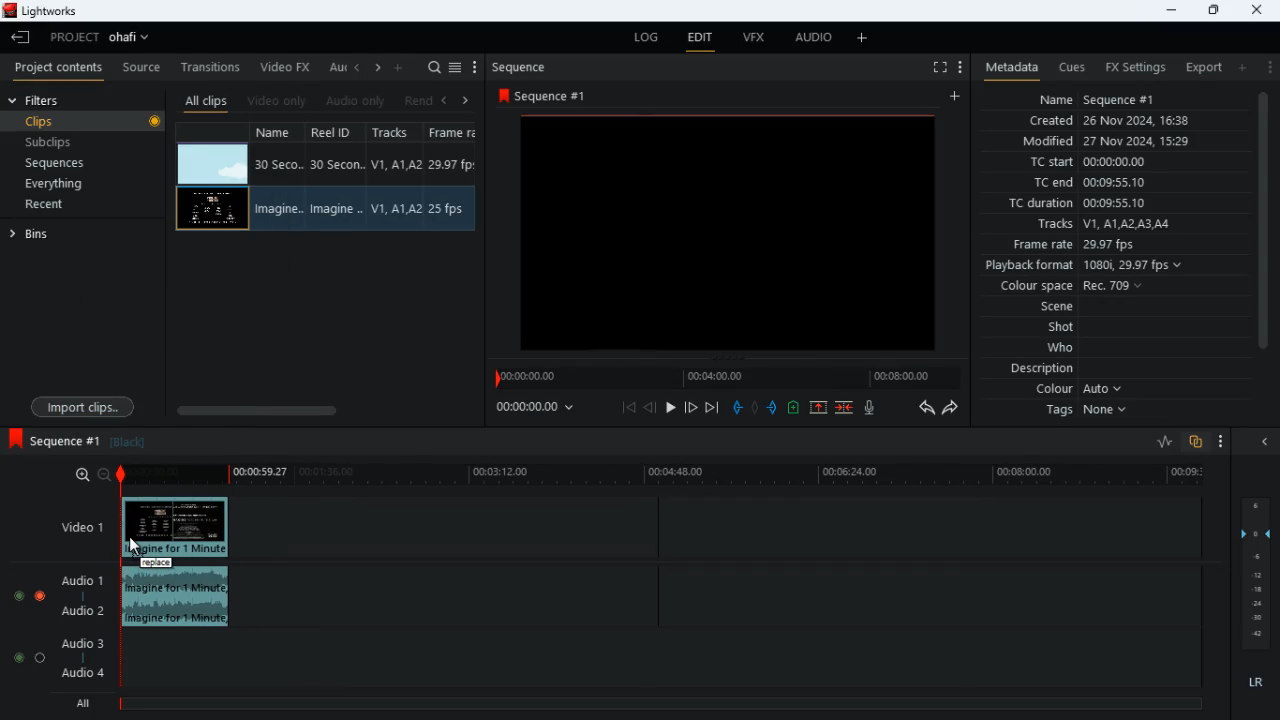 This screenshot has height=720, width=1280. Describe the element at coordinates (53, 440) in the screenshot. I see `sequence` at that location.